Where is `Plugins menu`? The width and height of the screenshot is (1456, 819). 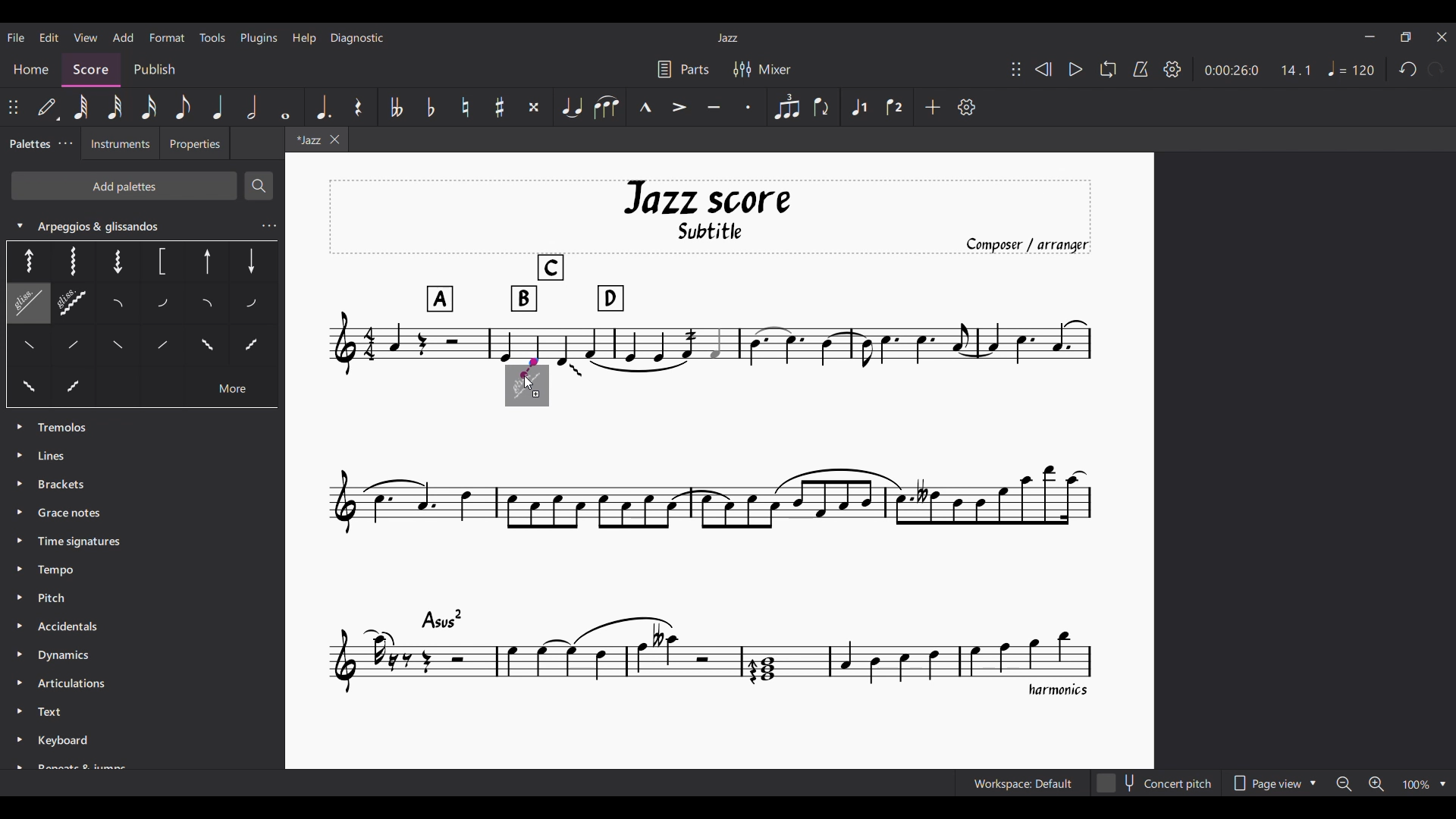
Plugins menu is located at coordinates (259, 39).